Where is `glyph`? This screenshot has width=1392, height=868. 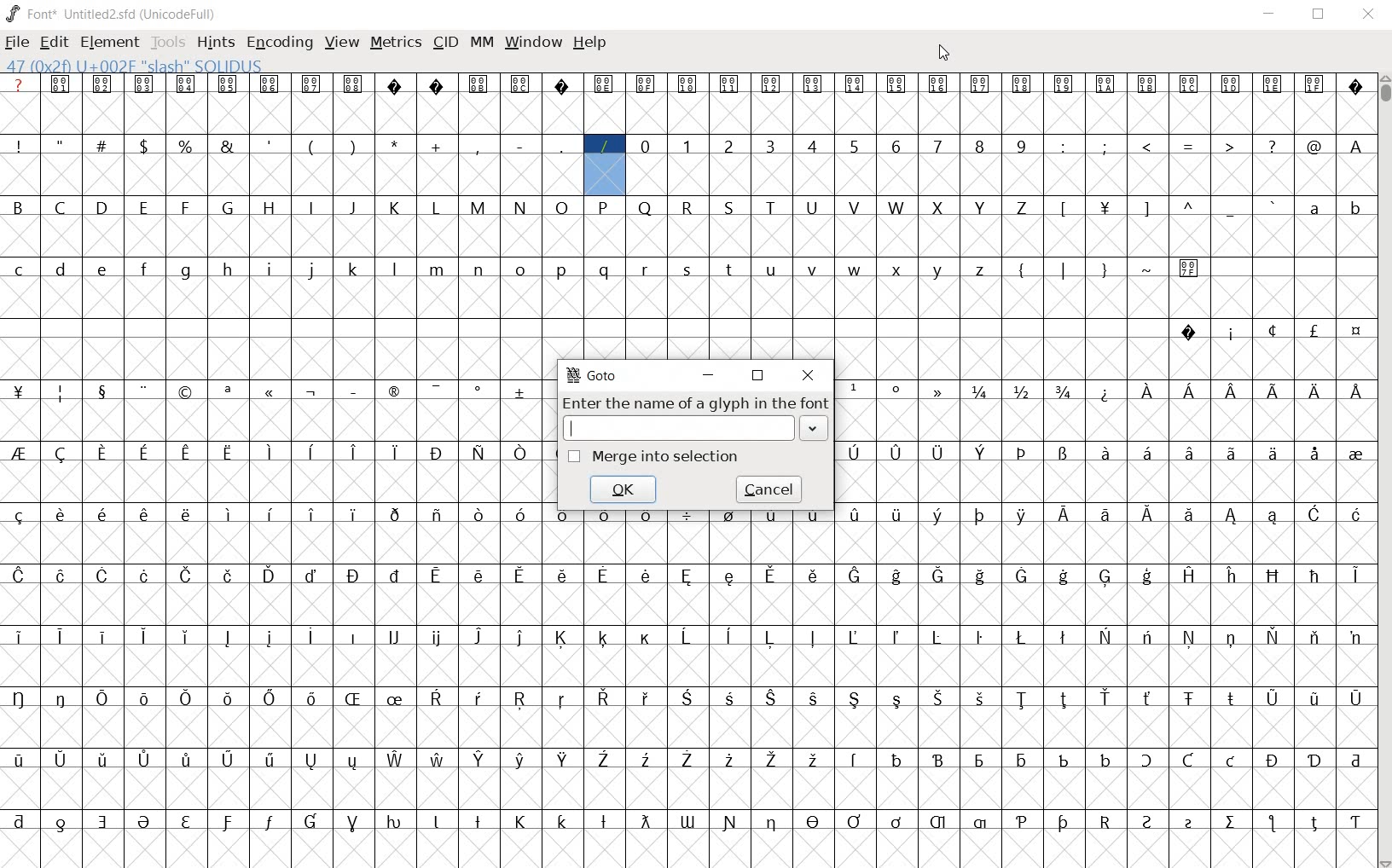 glyph is located at coordinates (937, 208).